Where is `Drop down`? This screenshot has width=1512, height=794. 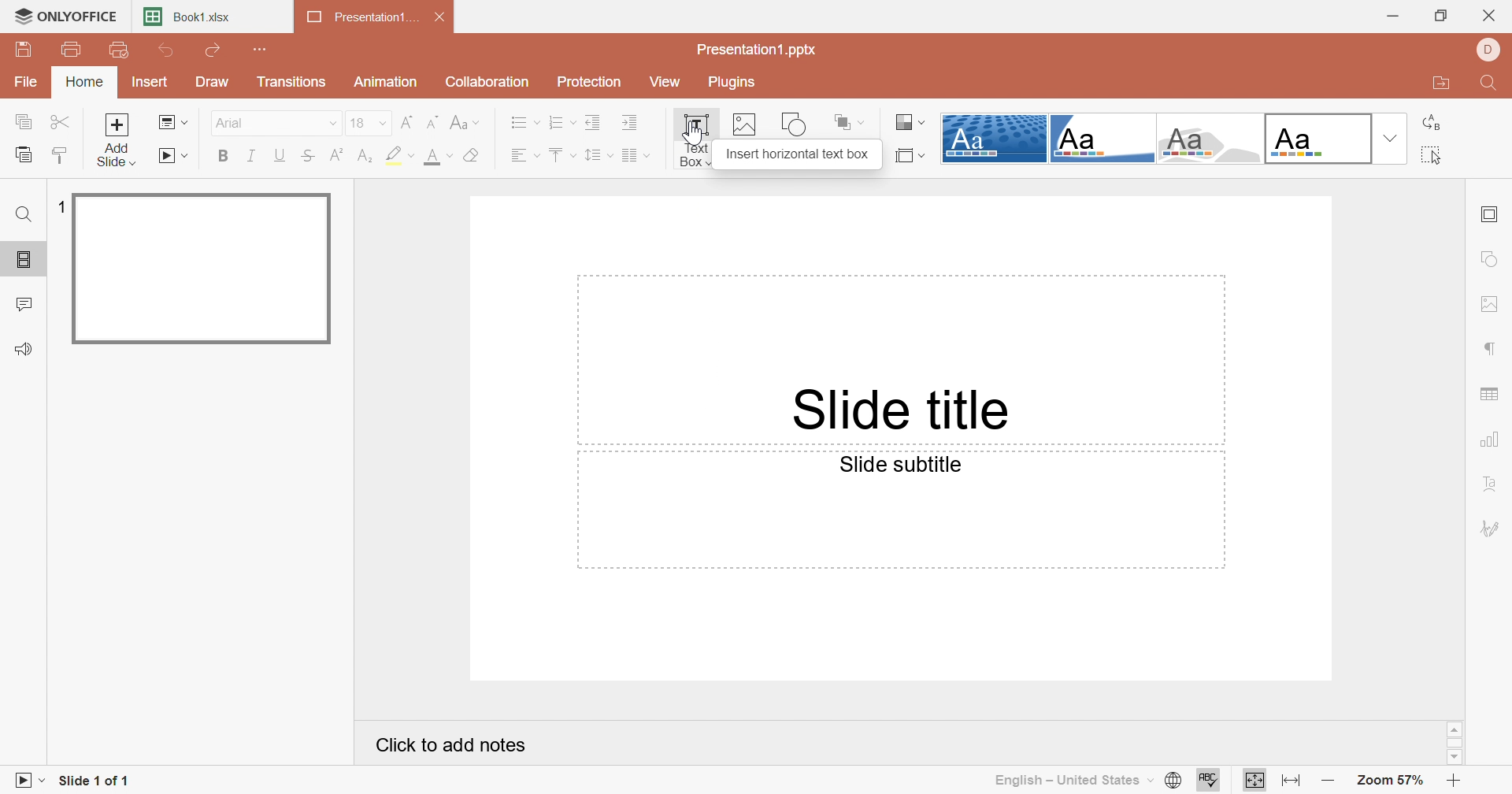 Drop down is located at coordinates (1389, 138).